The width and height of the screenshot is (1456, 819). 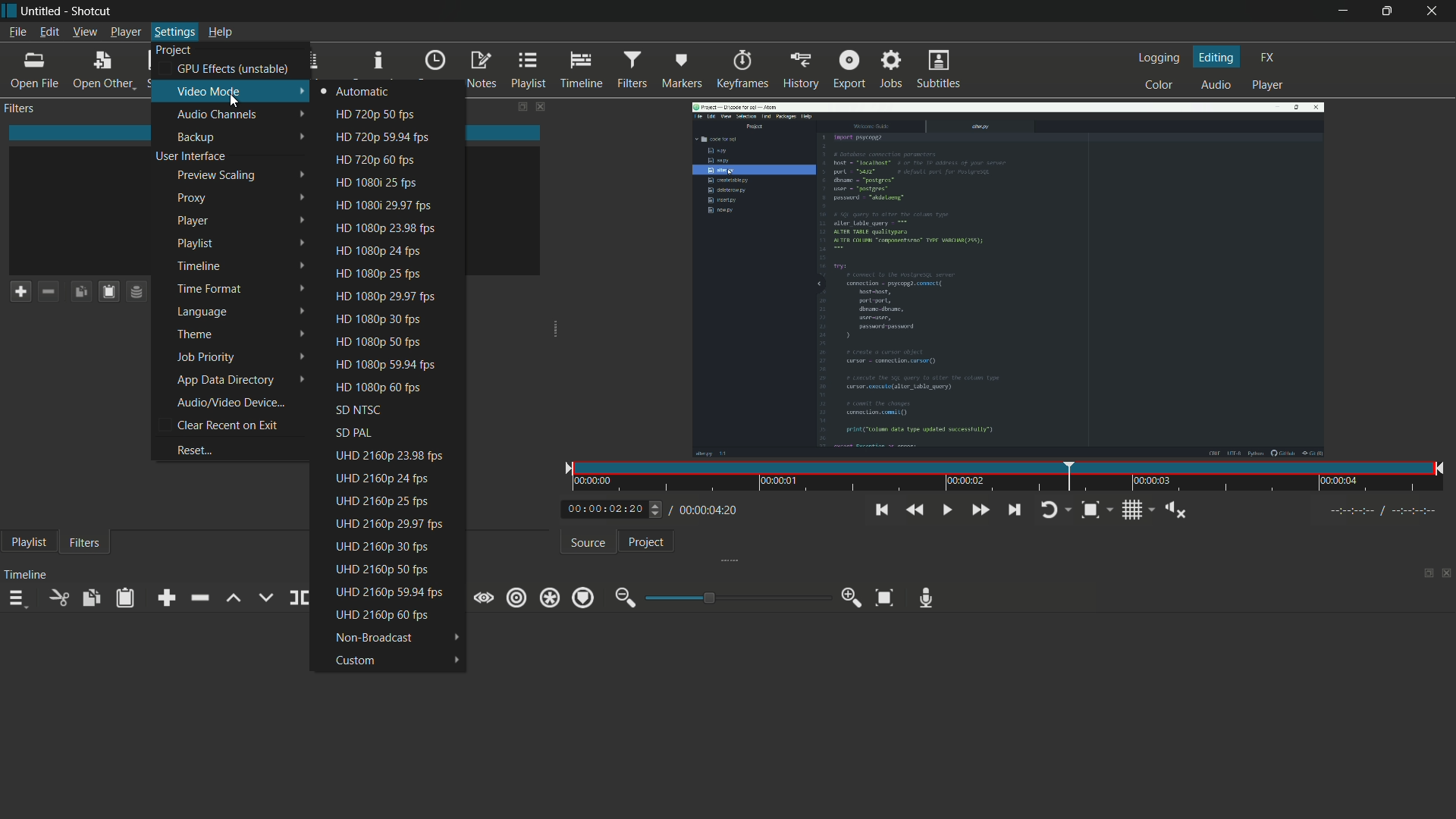 I want to click on hd 720p 59.94 fps, so click(x=399, y=137).